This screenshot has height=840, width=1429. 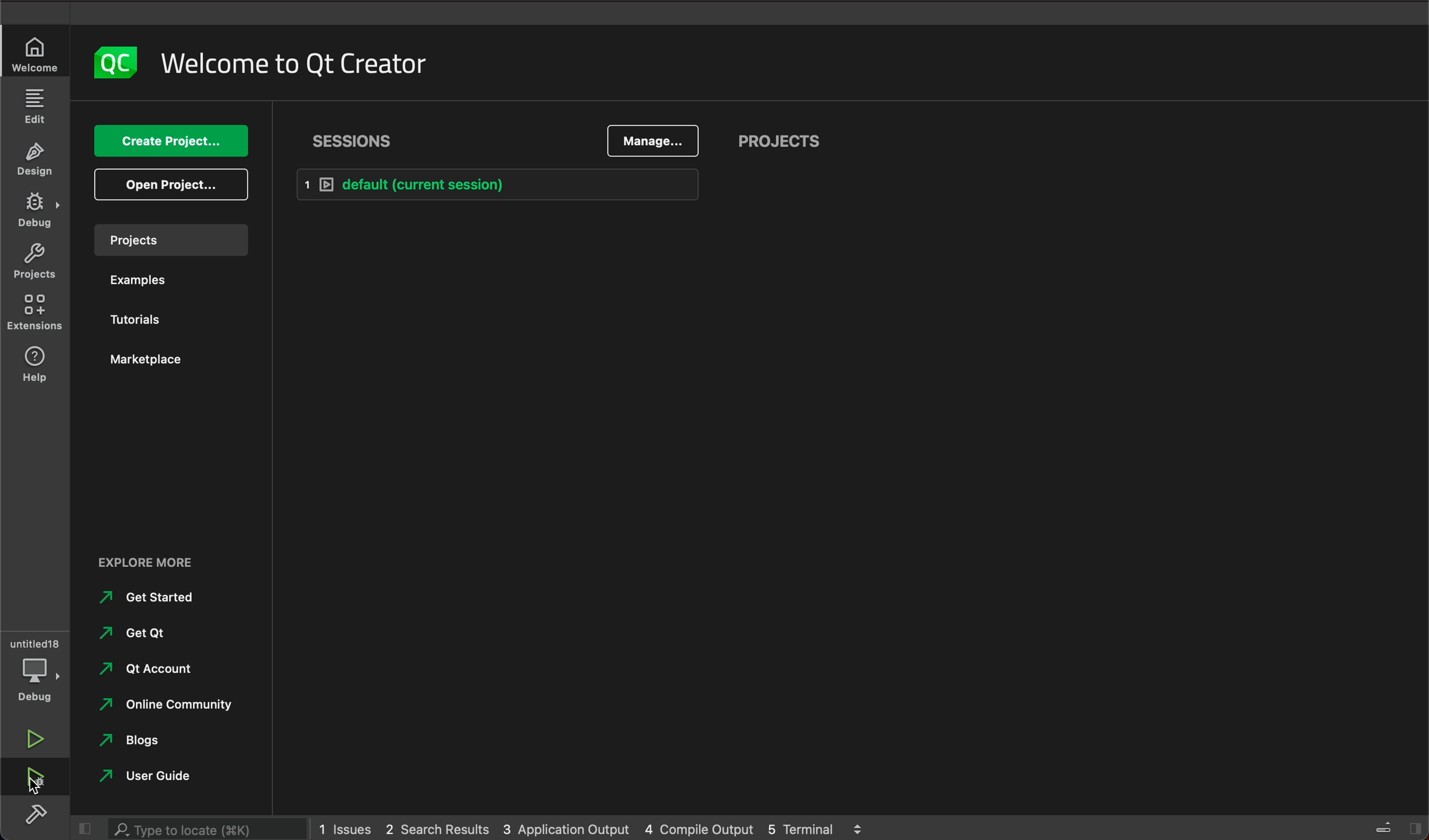 I want to click on run, so click(x=39, y=738).